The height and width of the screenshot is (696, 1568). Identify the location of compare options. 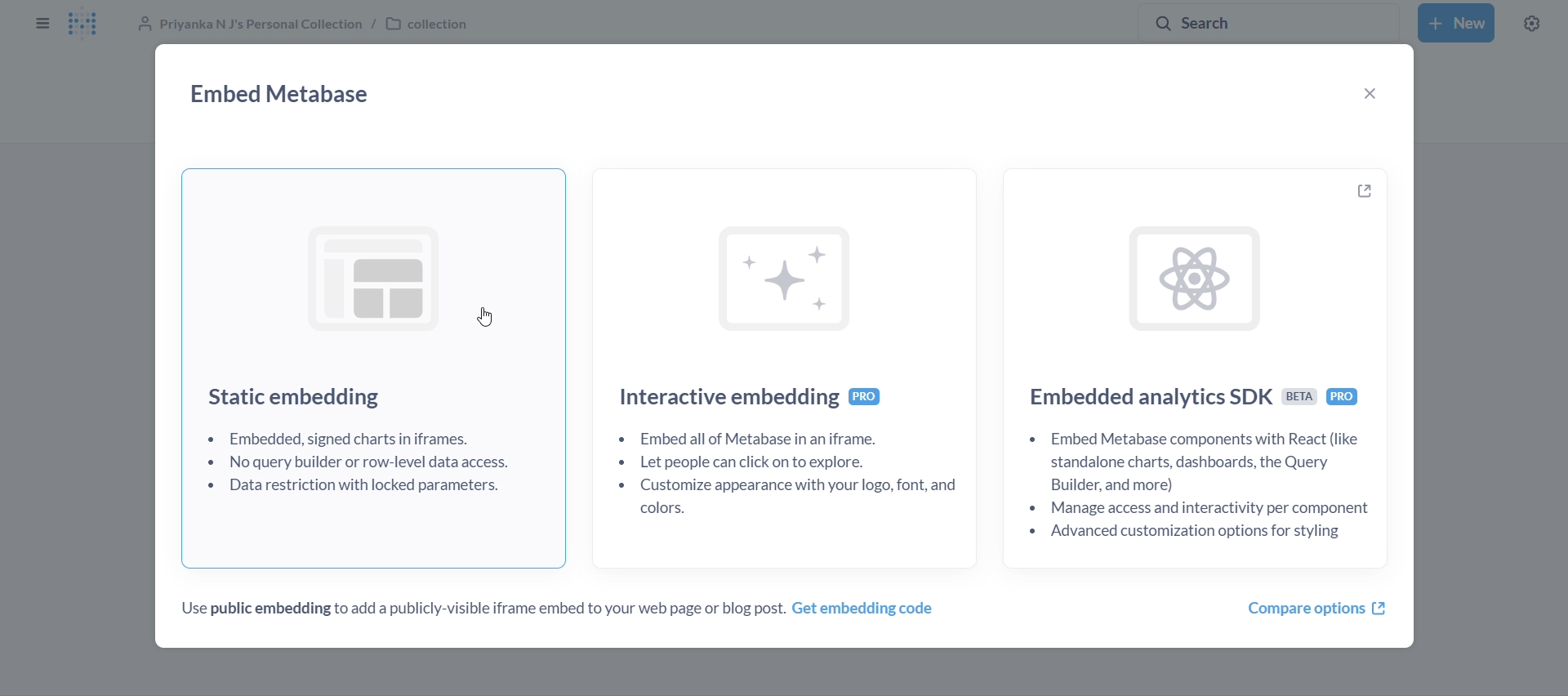
(1320, 609).